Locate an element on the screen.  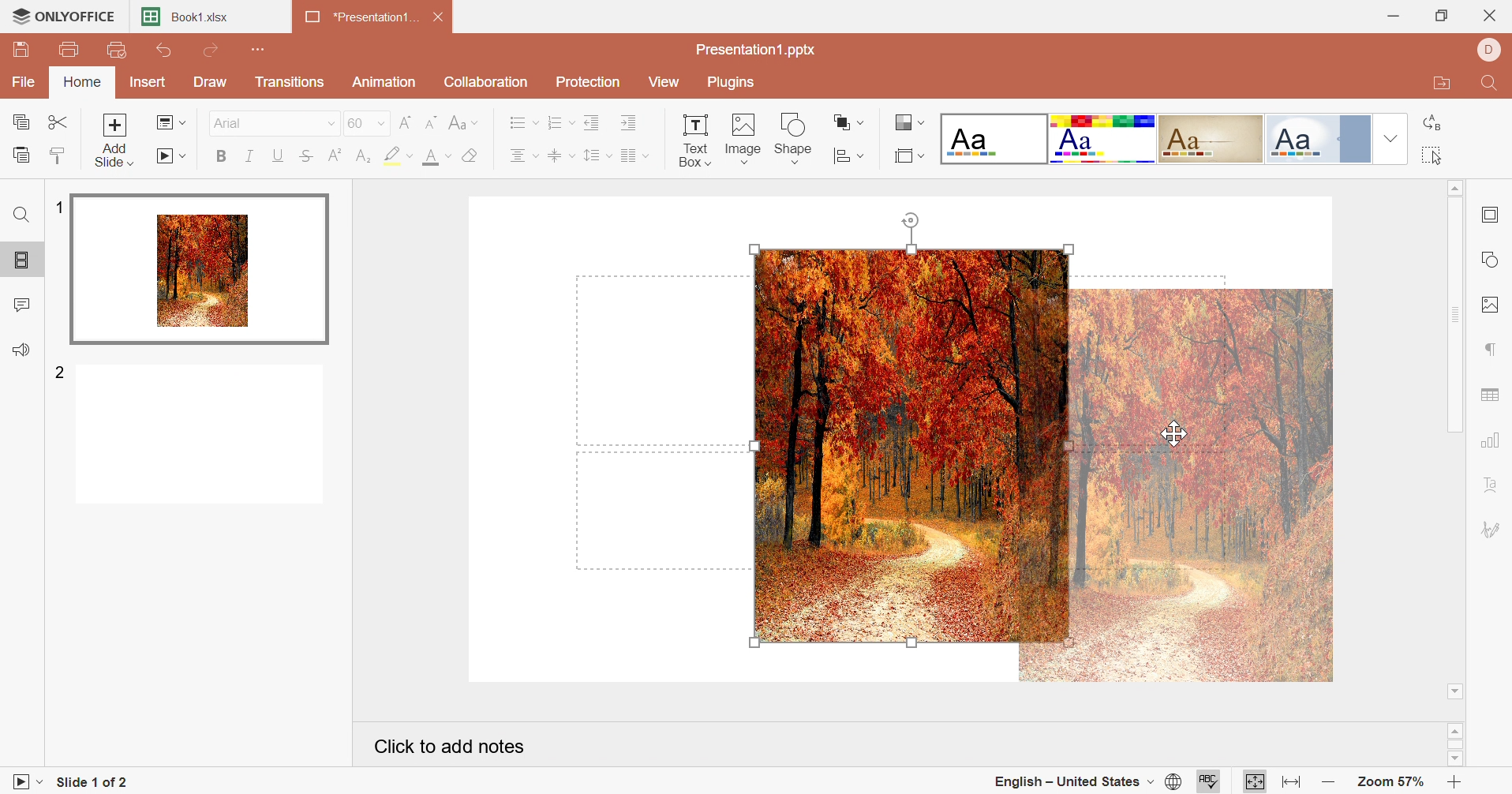
Check Spelling is located at coordinates (1210, 781).